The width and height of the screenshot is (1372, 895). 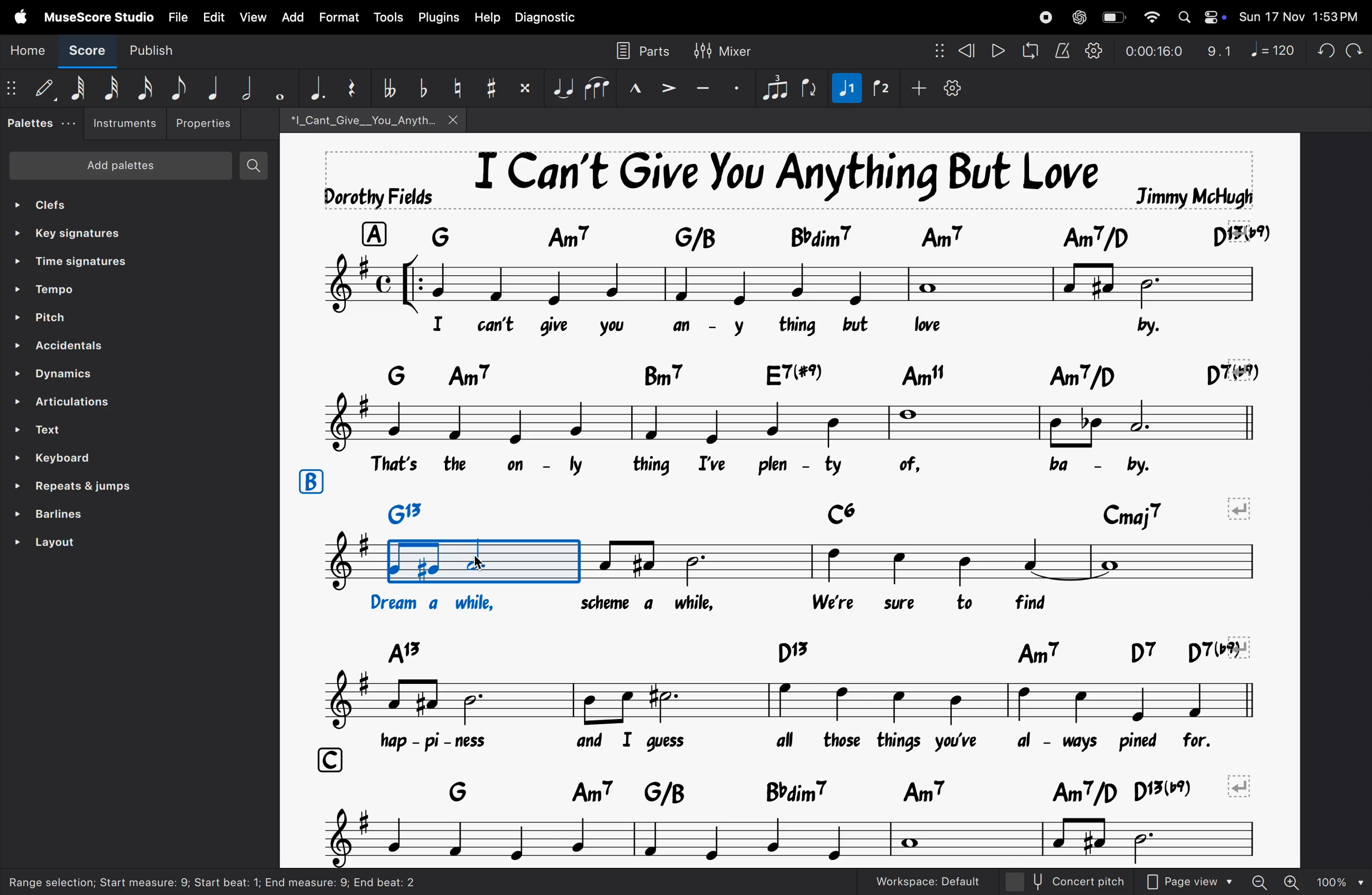 What do you see at coordinates (353, 88) in the screenshot?
I see `reser ` at bounding box center [353, 88].